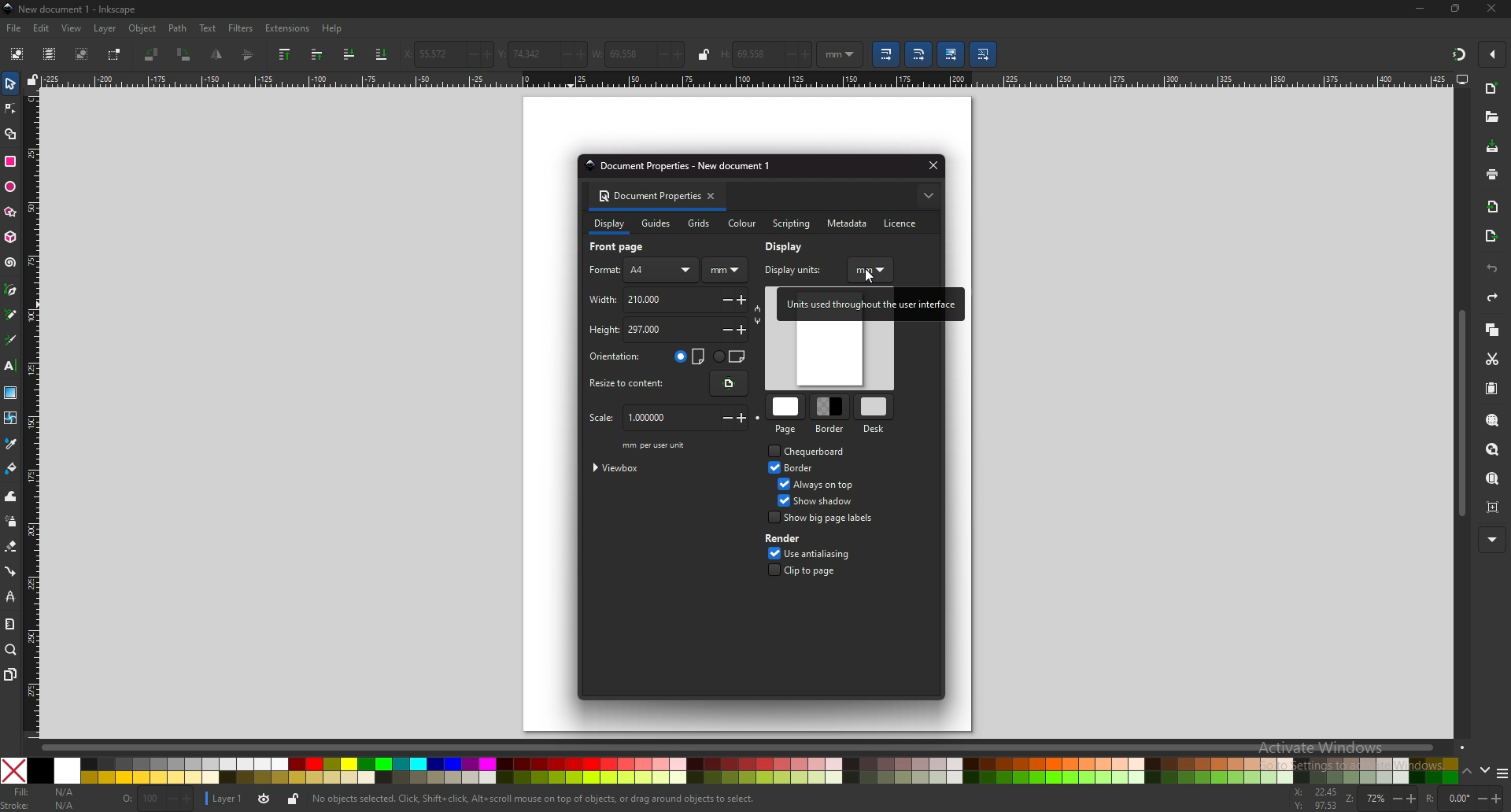 The image size is (1511, 812). I want to click on pages, so click(10, 674).